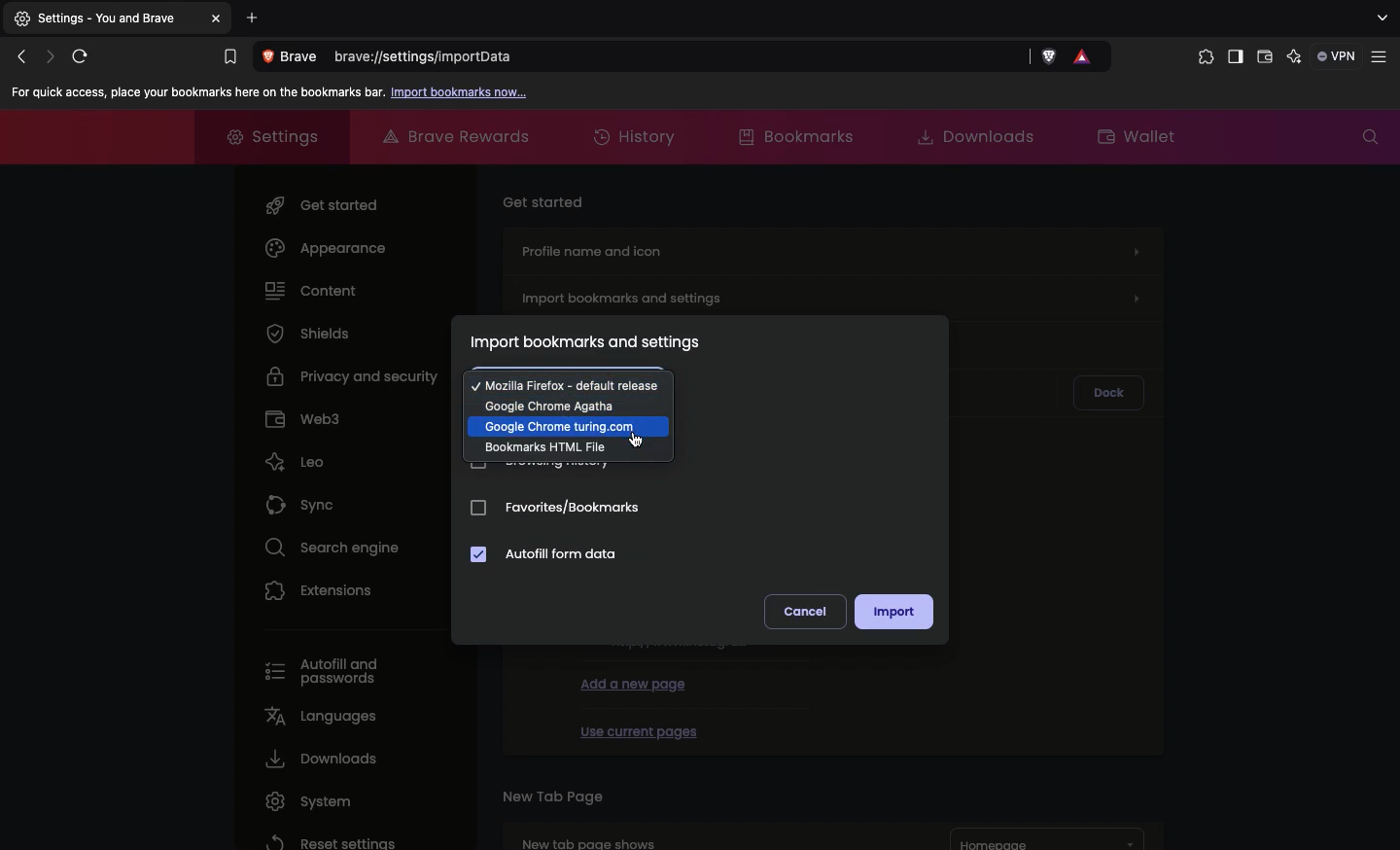  Describe the element at coordinates (830, 248) in the screenshot. I see `Profile name and icon` at that location.